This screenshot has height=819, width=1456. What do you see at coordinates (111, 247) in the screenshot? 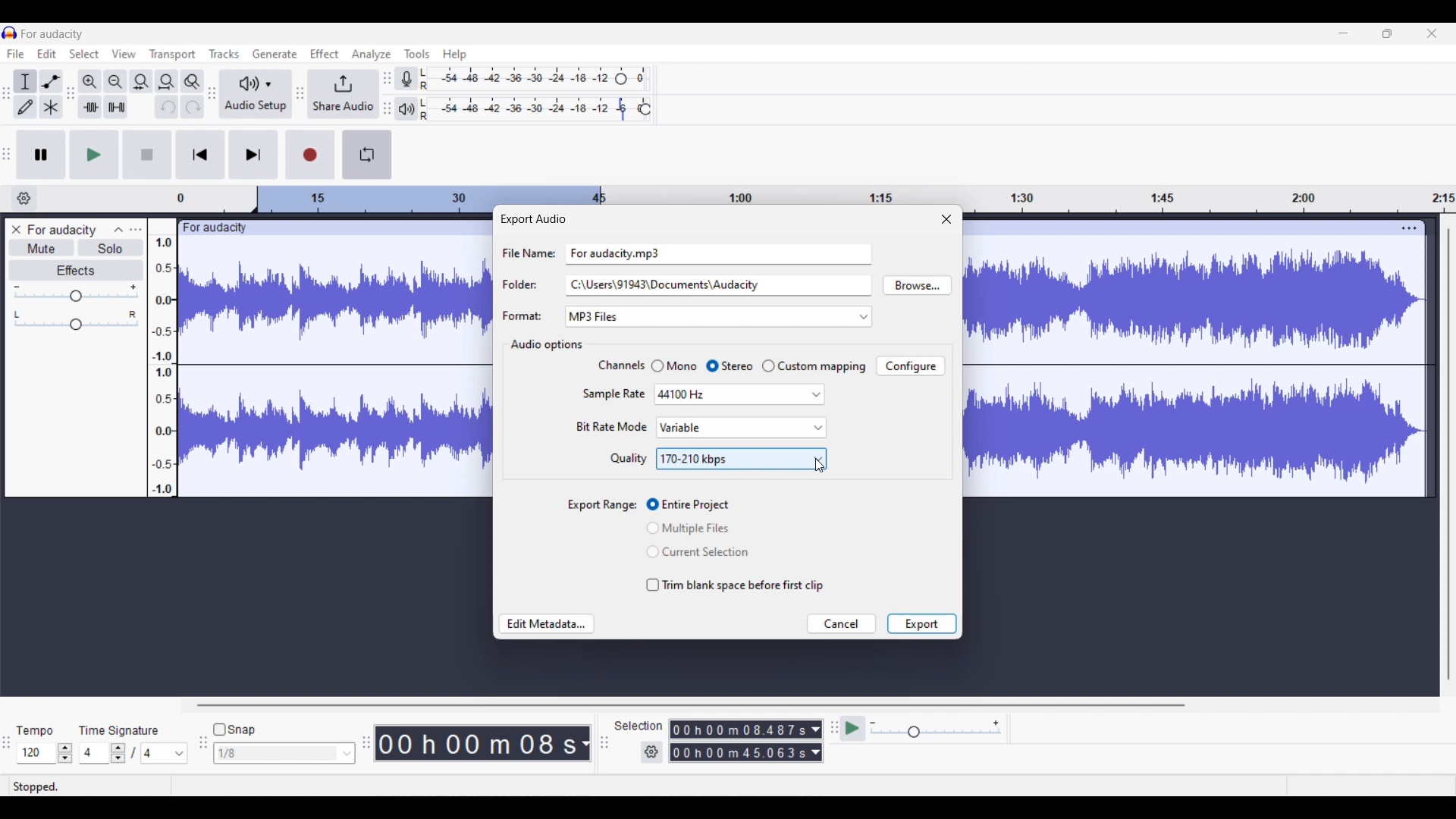
I see `Solo` at bounding box center [111, 247].